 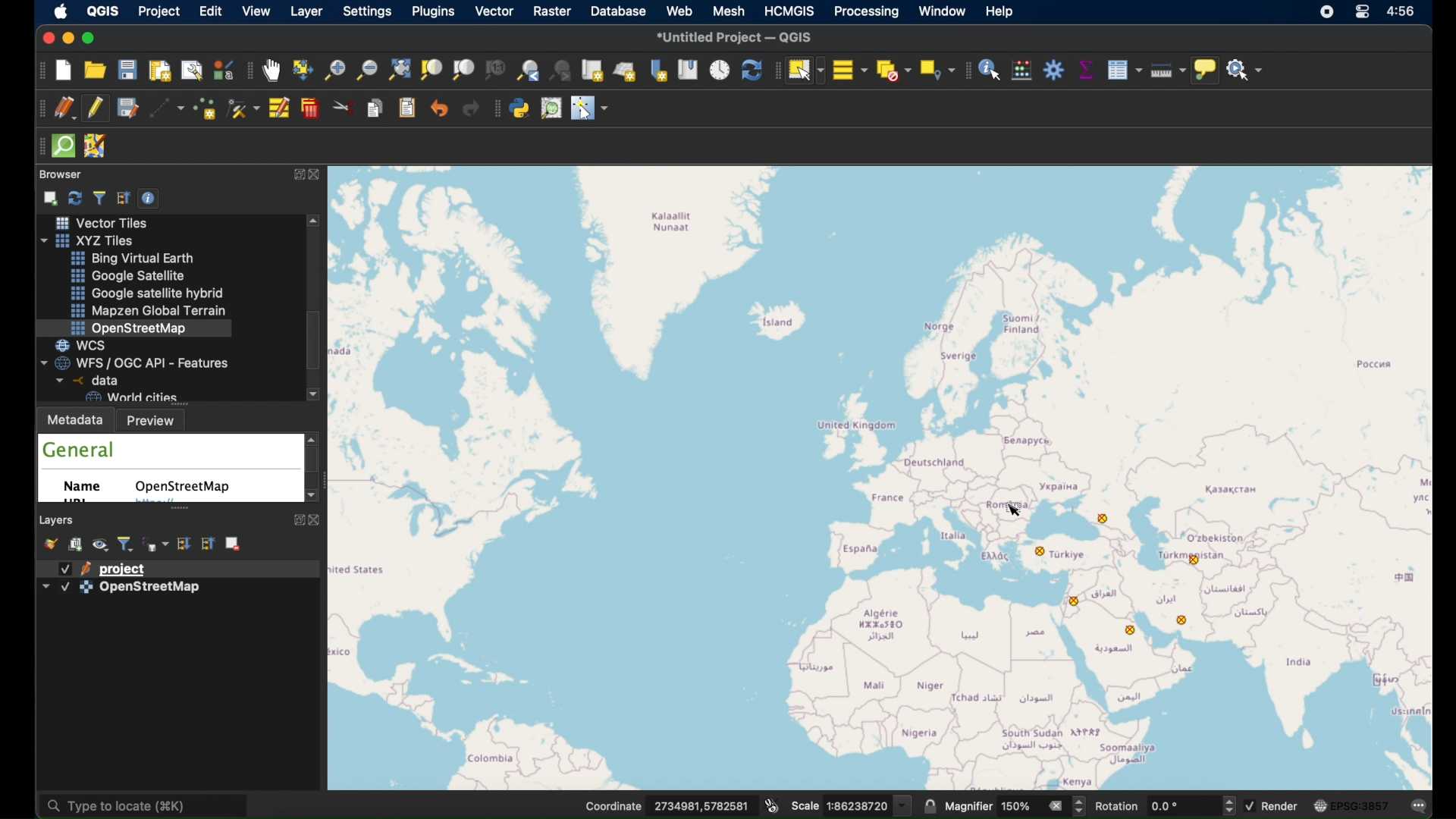 I want to click on add point feature, so click(x=207, y=108).